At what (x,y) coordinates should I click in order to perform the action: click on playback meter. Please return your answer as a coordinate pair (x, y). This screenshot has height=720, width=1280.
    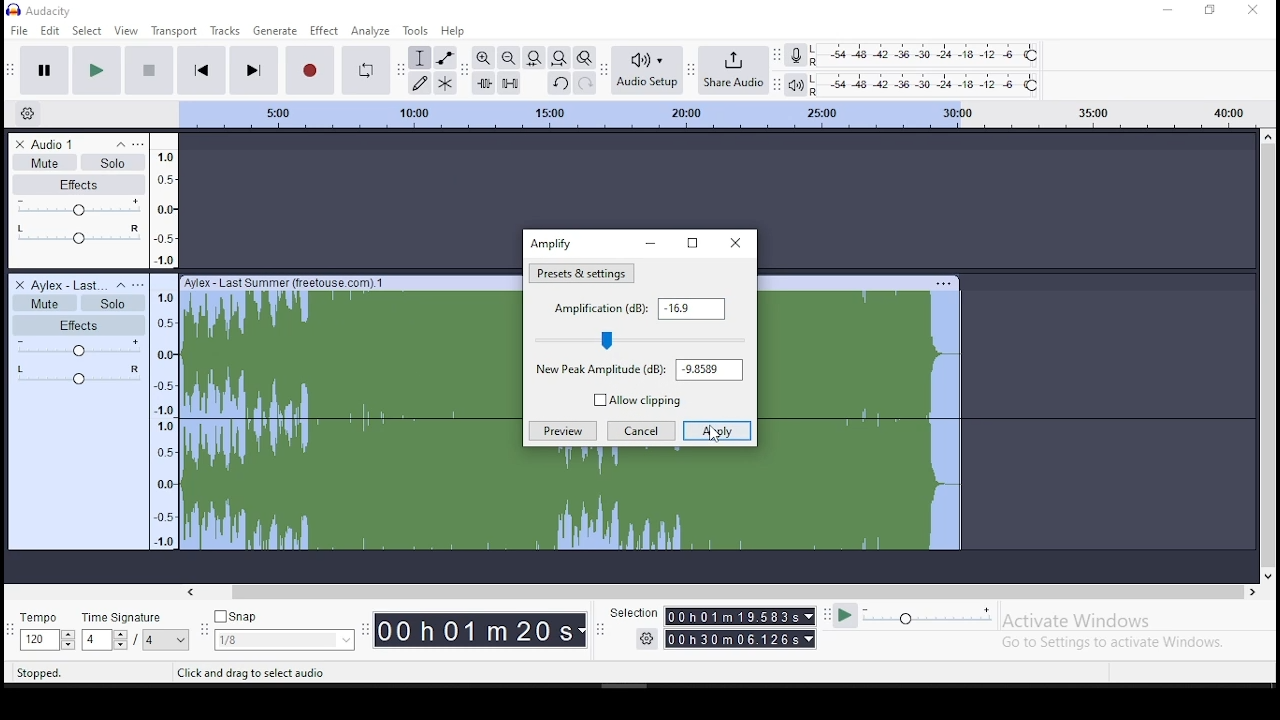
    Looking at the image, I should click on (795, 85).